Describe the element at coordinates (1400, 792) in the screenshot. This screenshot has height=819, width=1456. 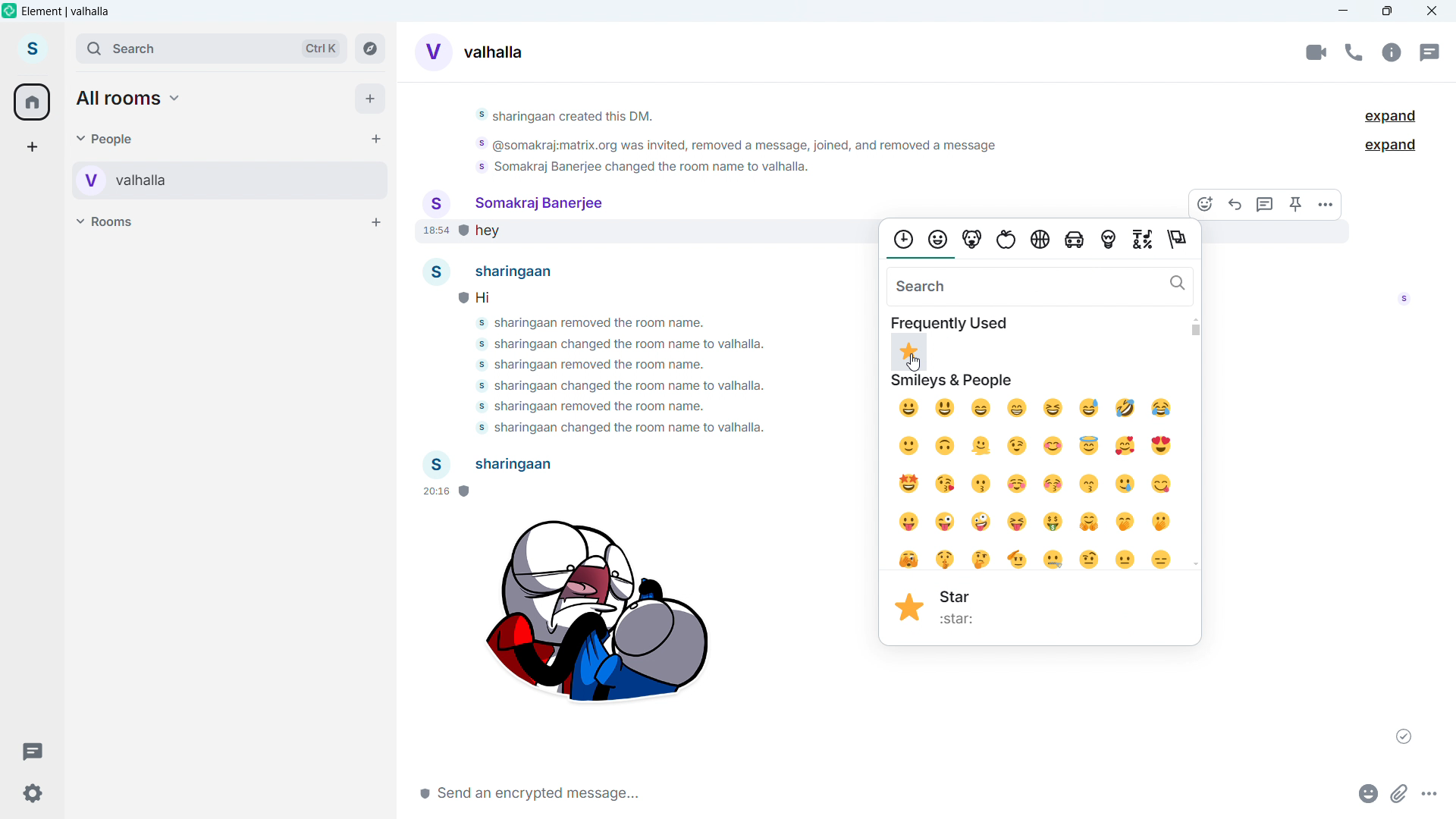
I see `Attachments` at that location.